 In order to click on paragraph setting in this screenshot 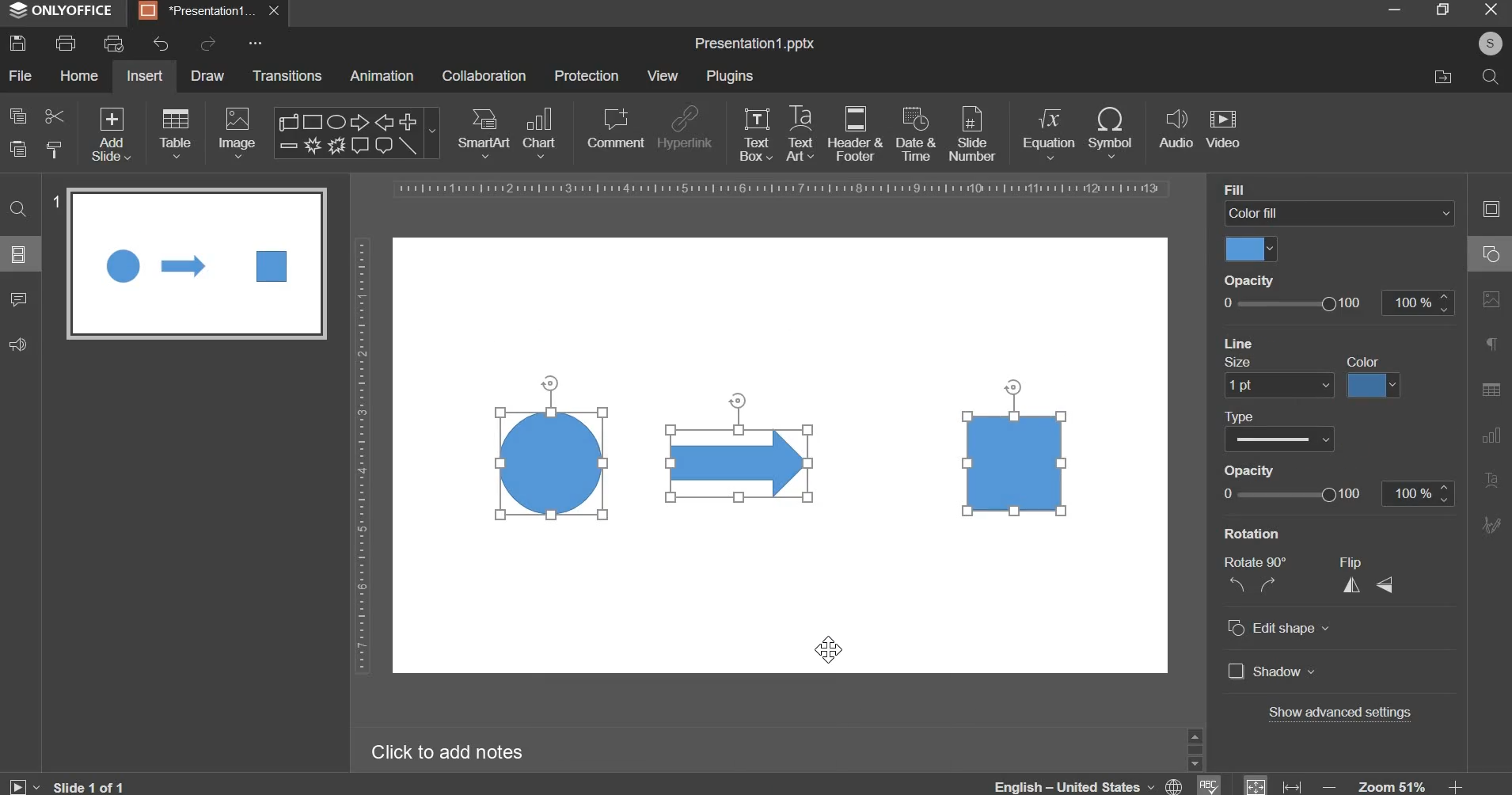, I will do `click(1492, 346)`.